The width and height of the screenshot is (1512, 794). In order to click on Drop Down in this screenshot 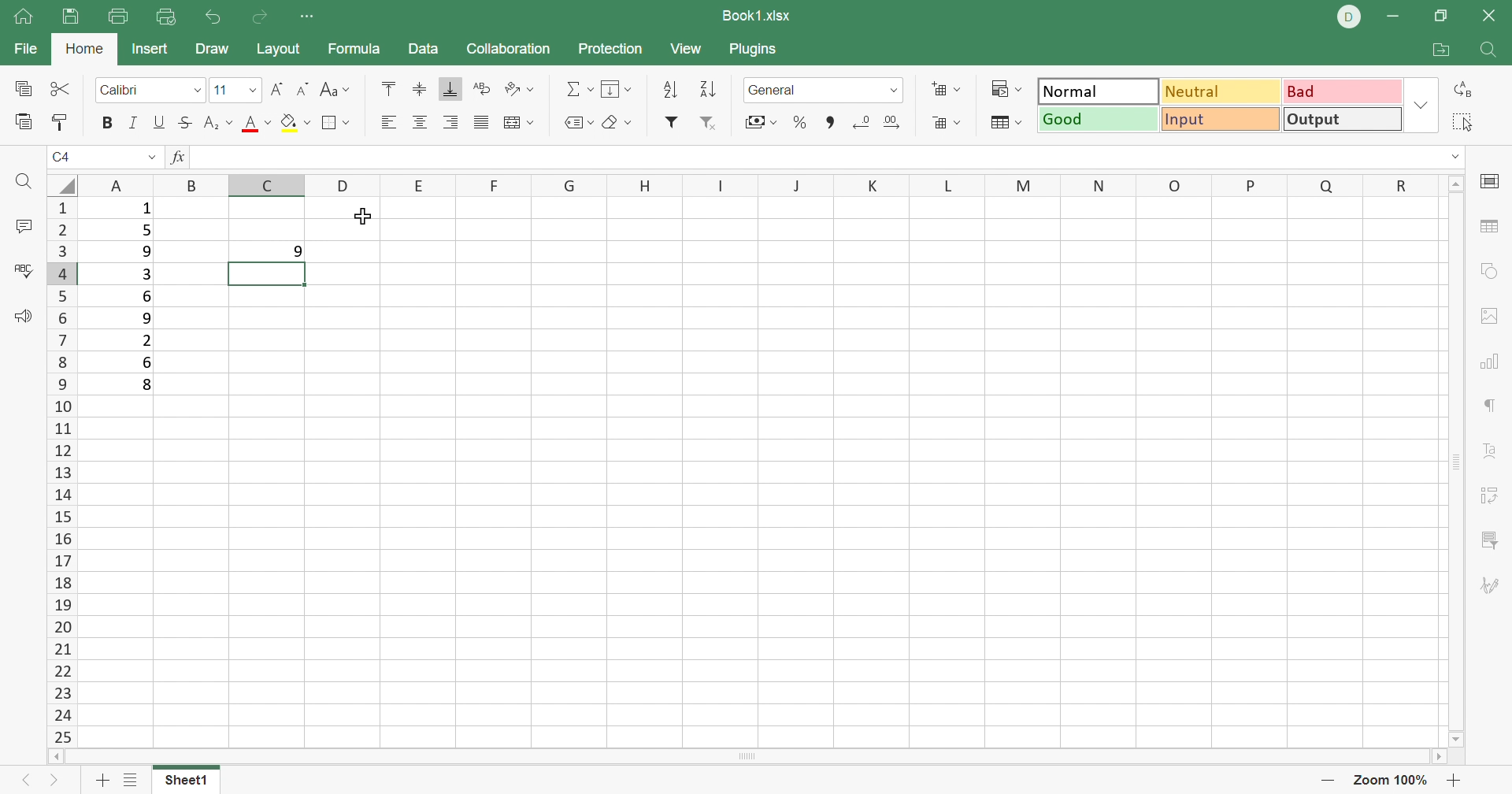, I will do `click(152, 156)`.